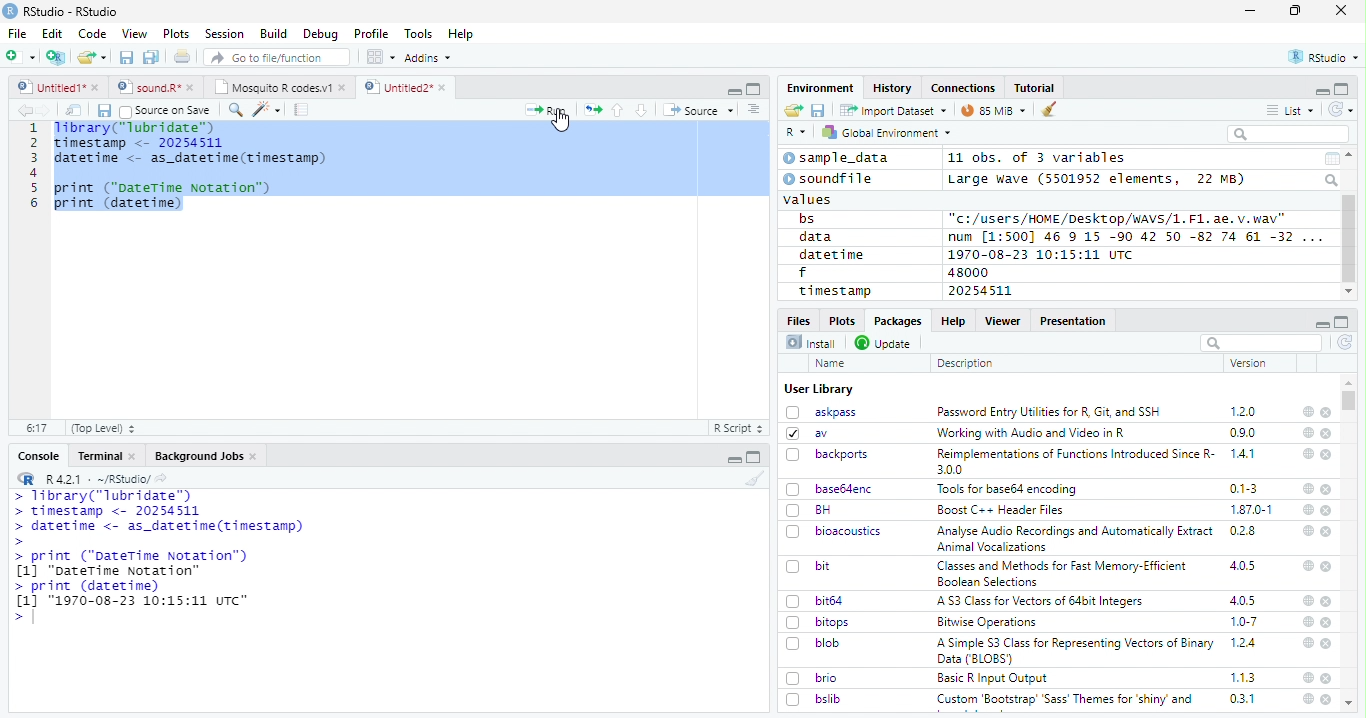 The width and height of the screenshot is (1366, 718). Describe the element at coordinates (1049, 412) in the screenshot. I see `Password Entry Utilities for R, Git, and SSH` at that location.